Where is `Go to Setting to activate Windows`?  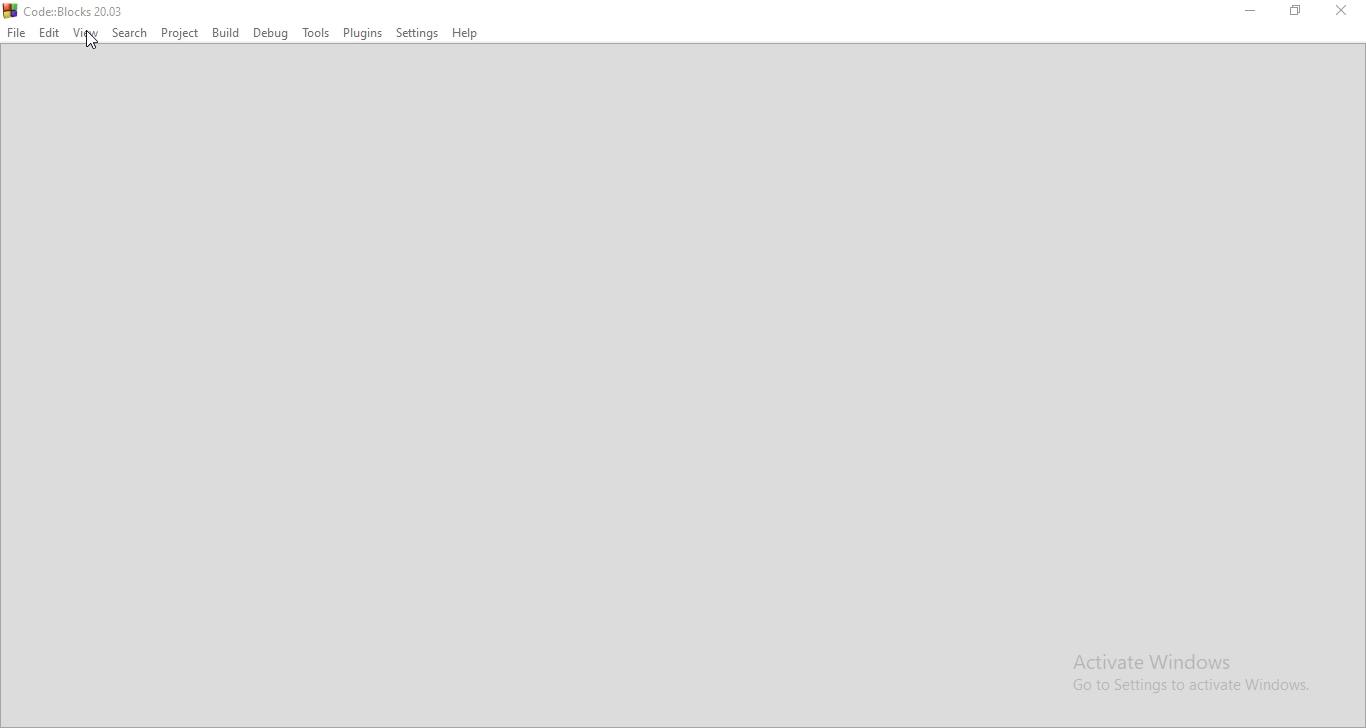 Go to Setting to activate Windows is located at coordinates (1189, 688).